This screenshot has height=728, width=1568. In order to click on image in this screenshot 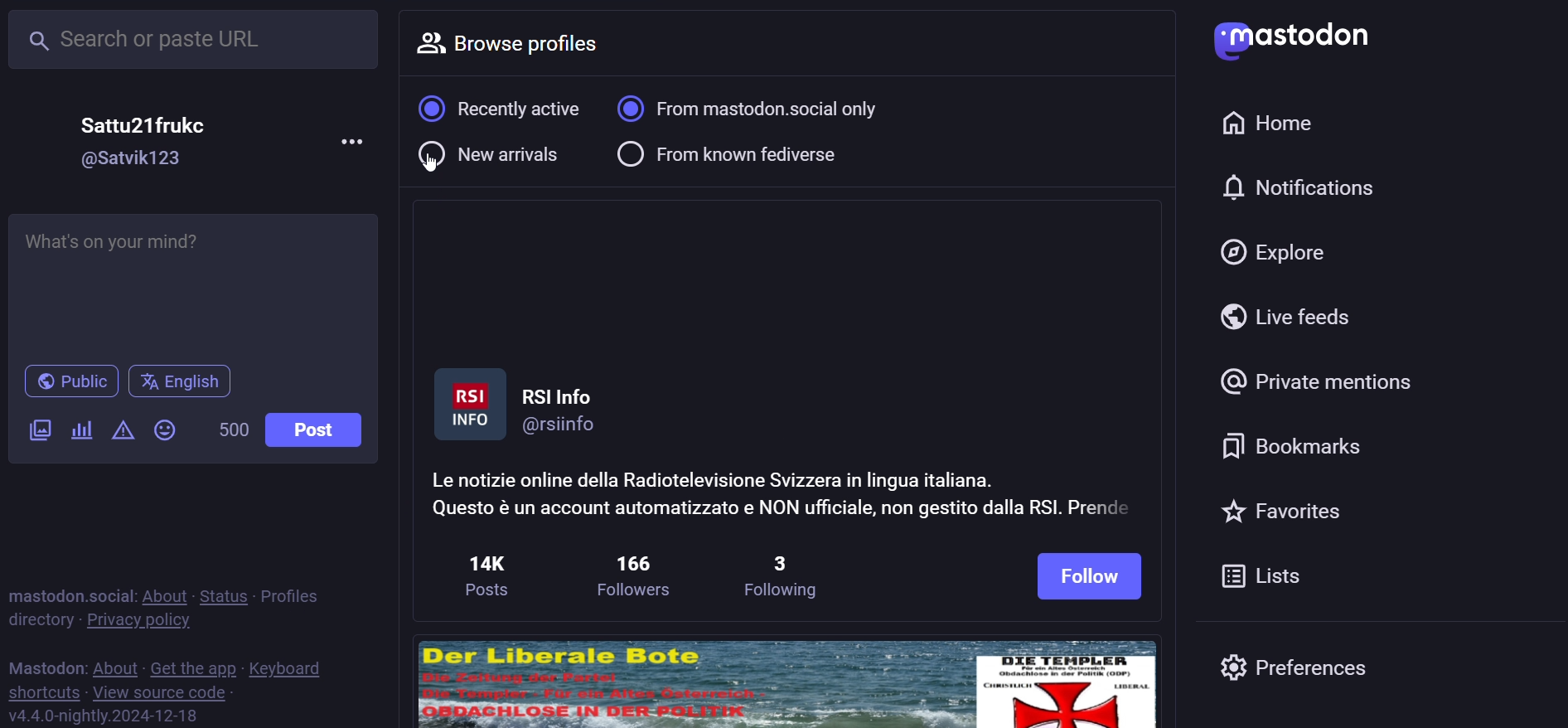, I will do `click(784, 682)`.